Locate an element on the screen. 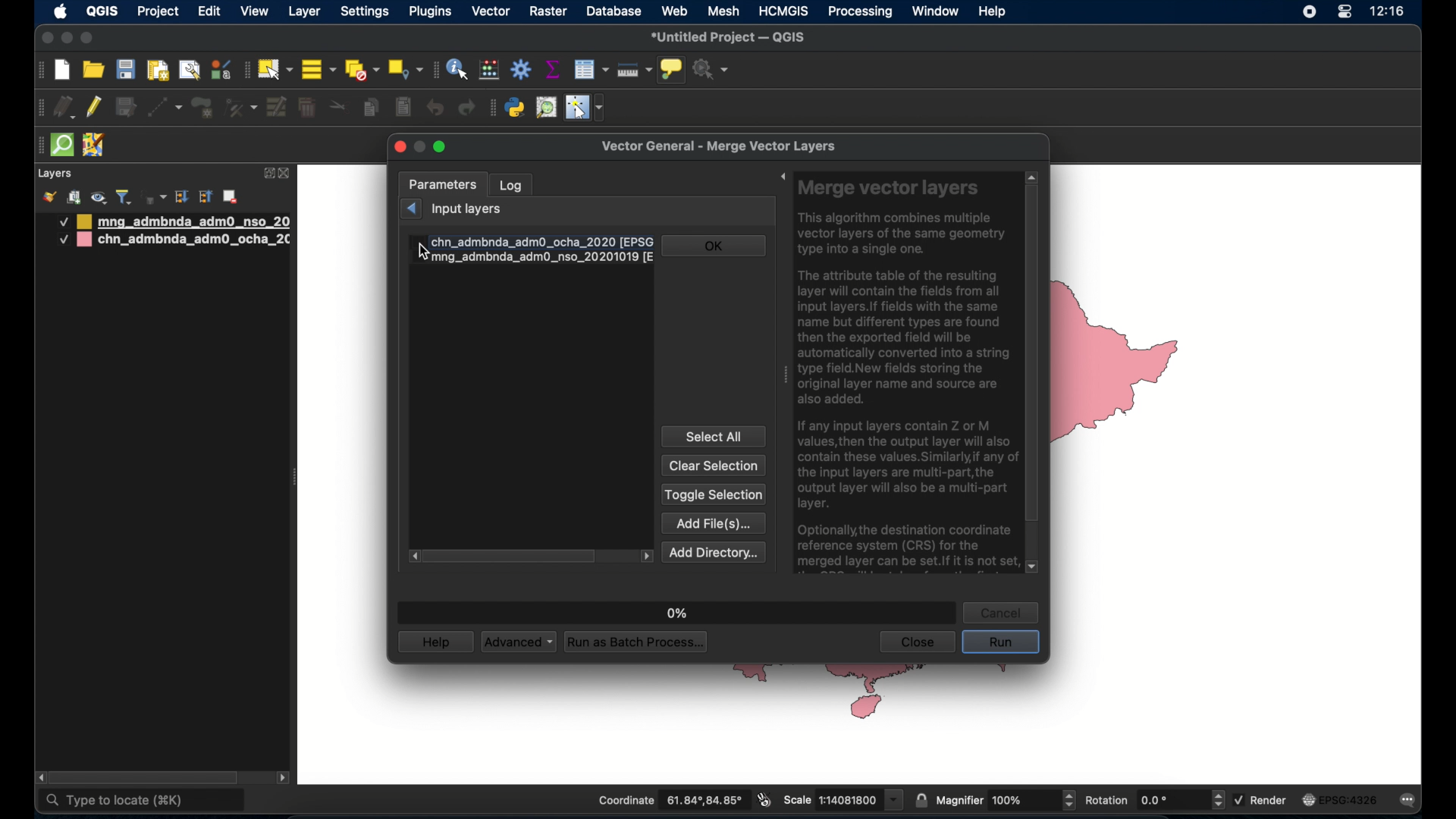 The height and width of the screenshot is (819, 1456). show print layout is located at coordinates (156, 70).